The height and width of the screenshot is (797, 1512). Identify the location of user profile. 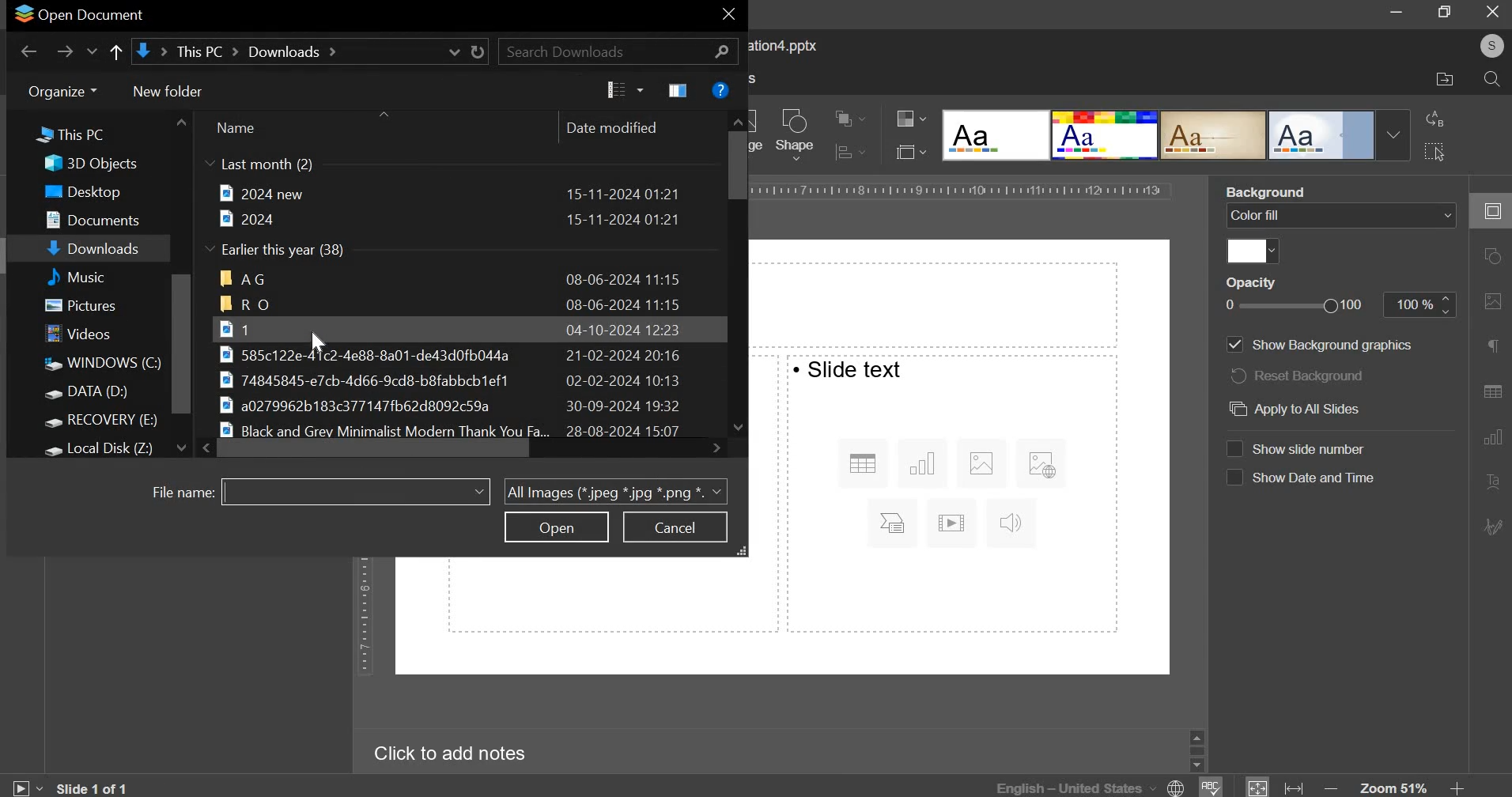
(1491, 46).